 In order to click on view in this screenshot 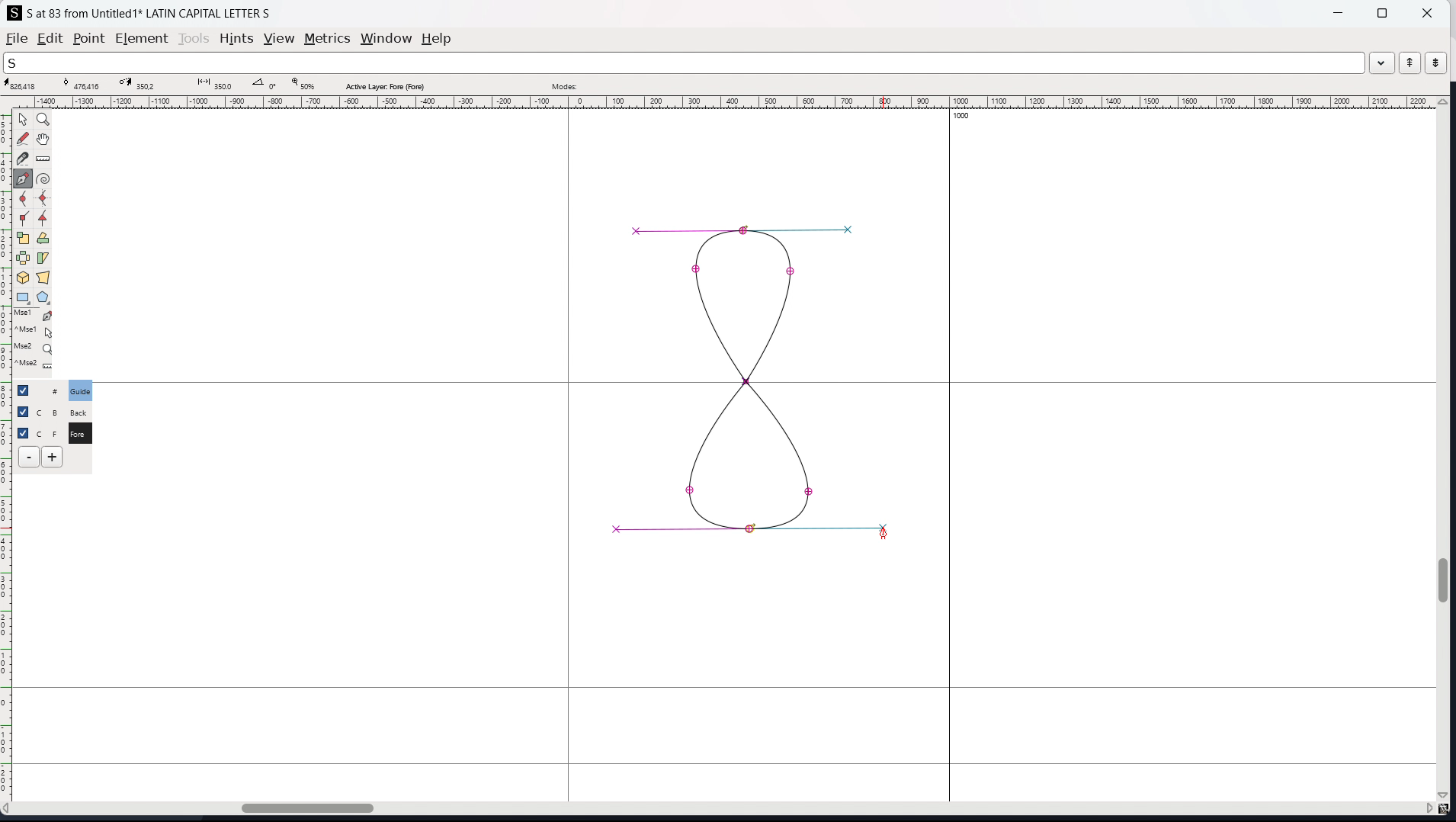, I will do `click(279, 39)`.